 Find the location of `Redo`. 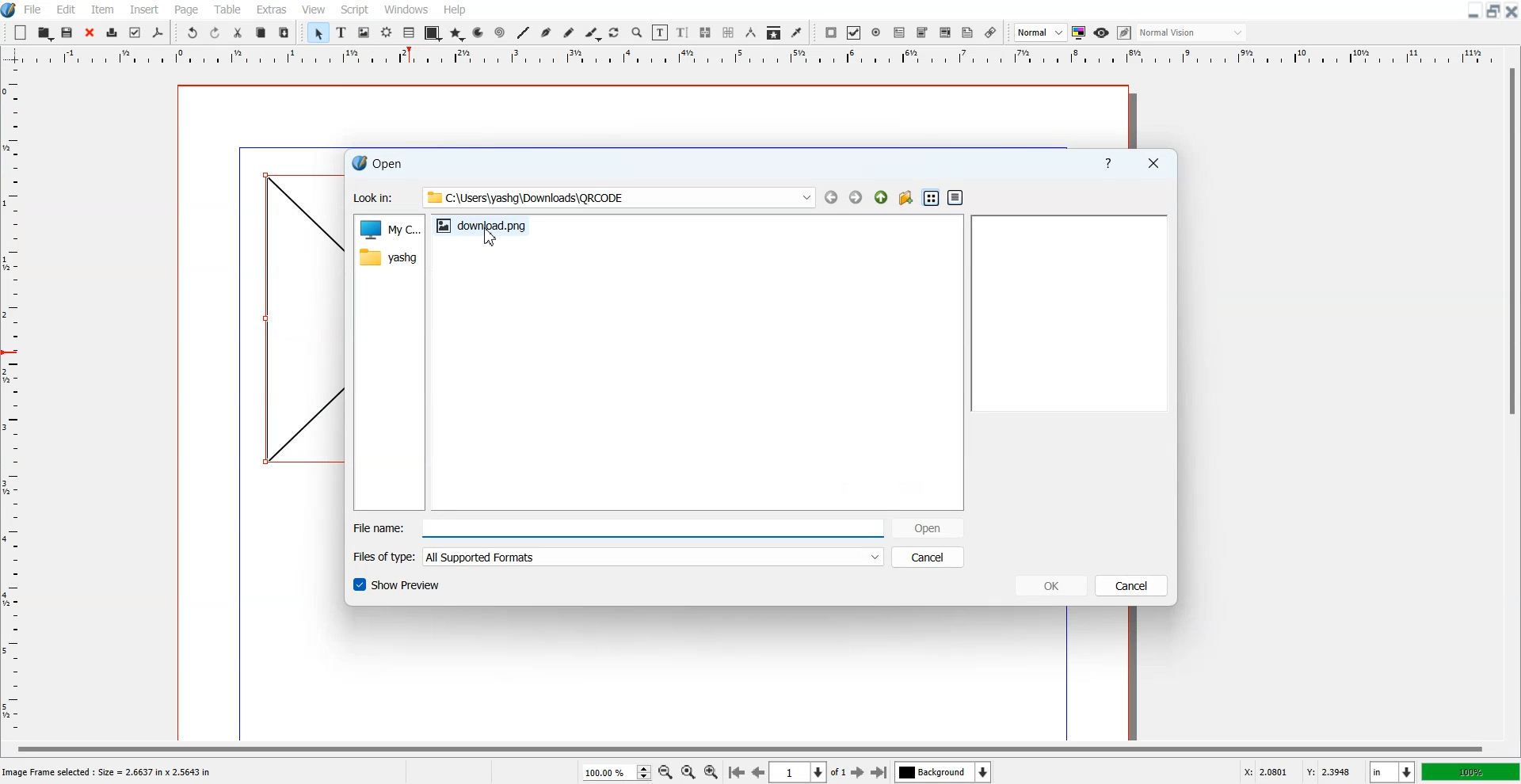

Redo is located at coordinates (215, 32).